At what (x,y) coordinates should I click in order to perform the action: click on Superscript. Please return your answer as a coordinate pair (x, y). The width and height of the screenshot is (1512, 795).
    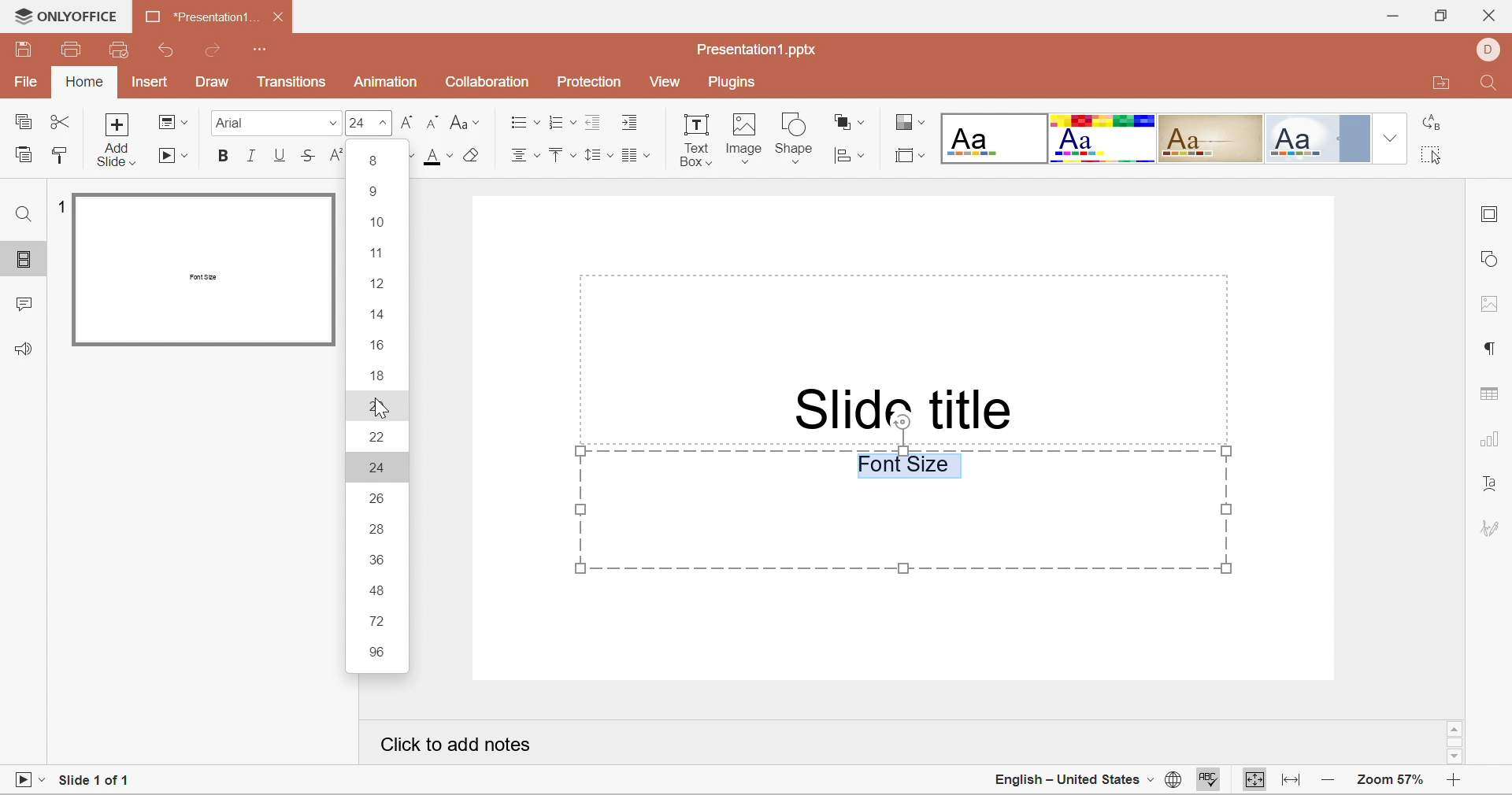
    Looking at the image, I should click on (334, 156).